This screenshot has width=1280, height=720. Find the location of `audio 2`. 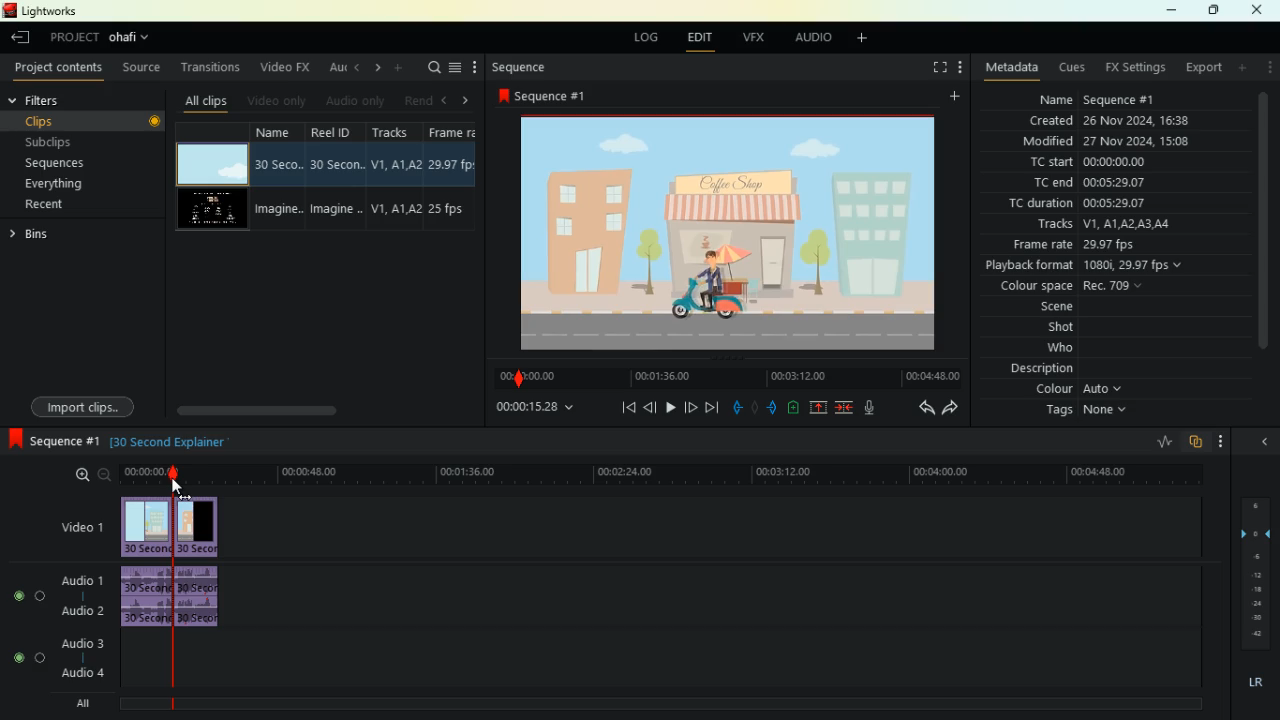

audio 2 is located at coordinates (76, 611).